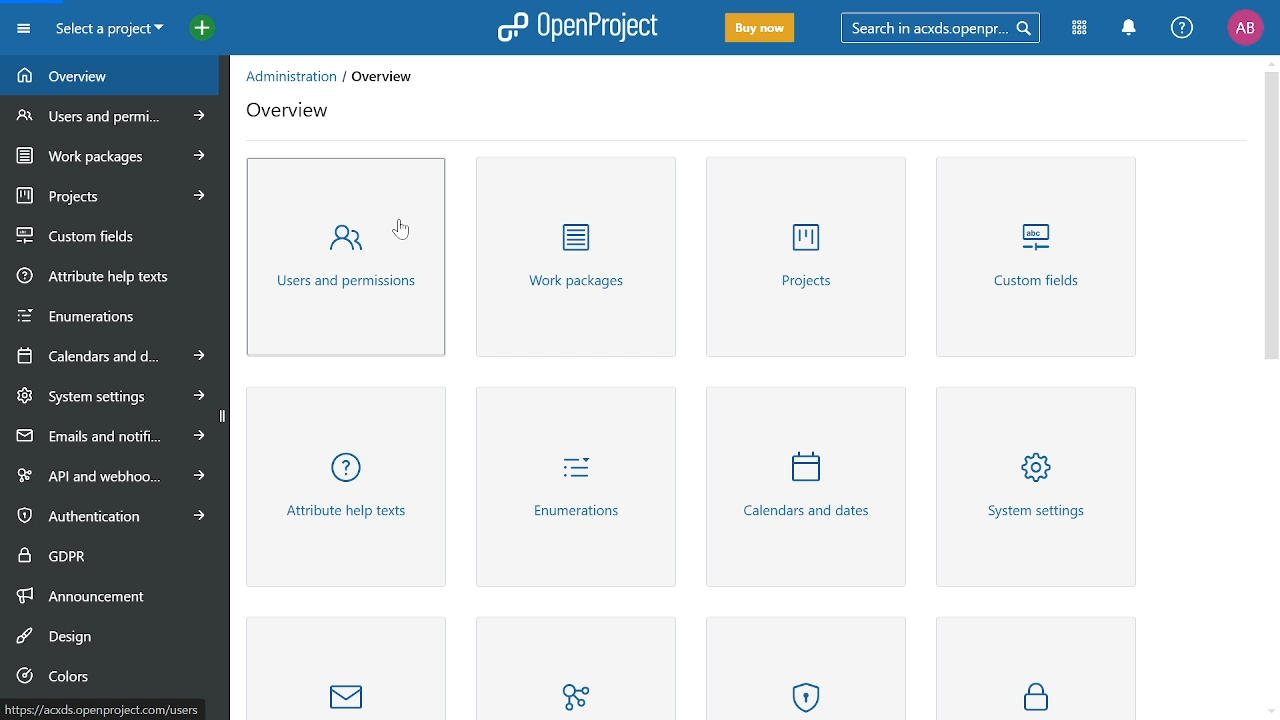 This screenshot has width=1280, height=720. What do you see at coordinates (1082, 29) in the screenshot?
I see `Modules` at bounding box center [1082, 29].